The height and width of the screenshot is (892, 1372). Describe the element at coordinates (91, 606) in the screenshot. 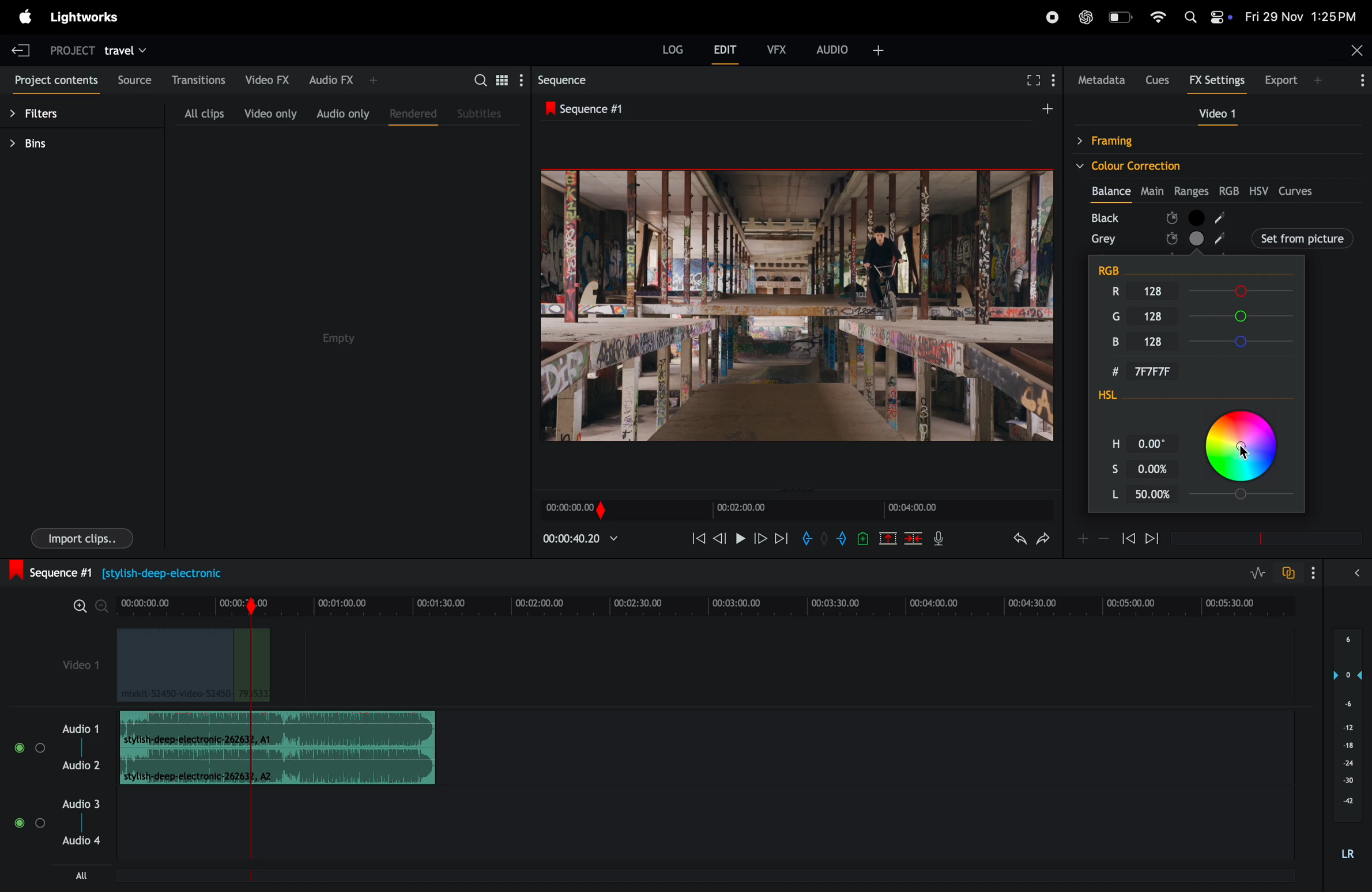

I see `zoom in zoom out` at that location.